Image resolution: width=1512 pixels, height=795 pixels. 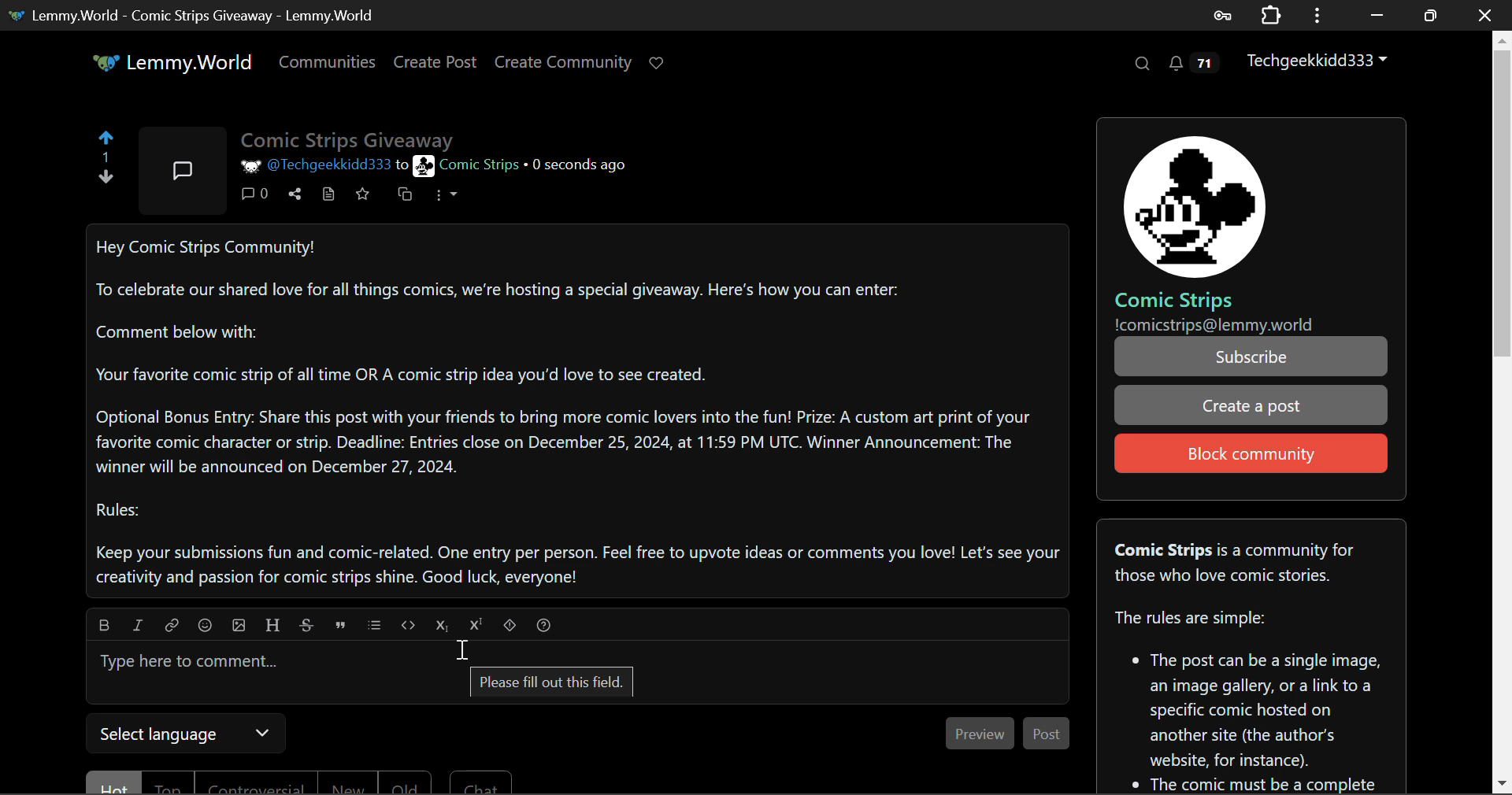 I want to click on Donate Page Link, so click(x=658, y=63).